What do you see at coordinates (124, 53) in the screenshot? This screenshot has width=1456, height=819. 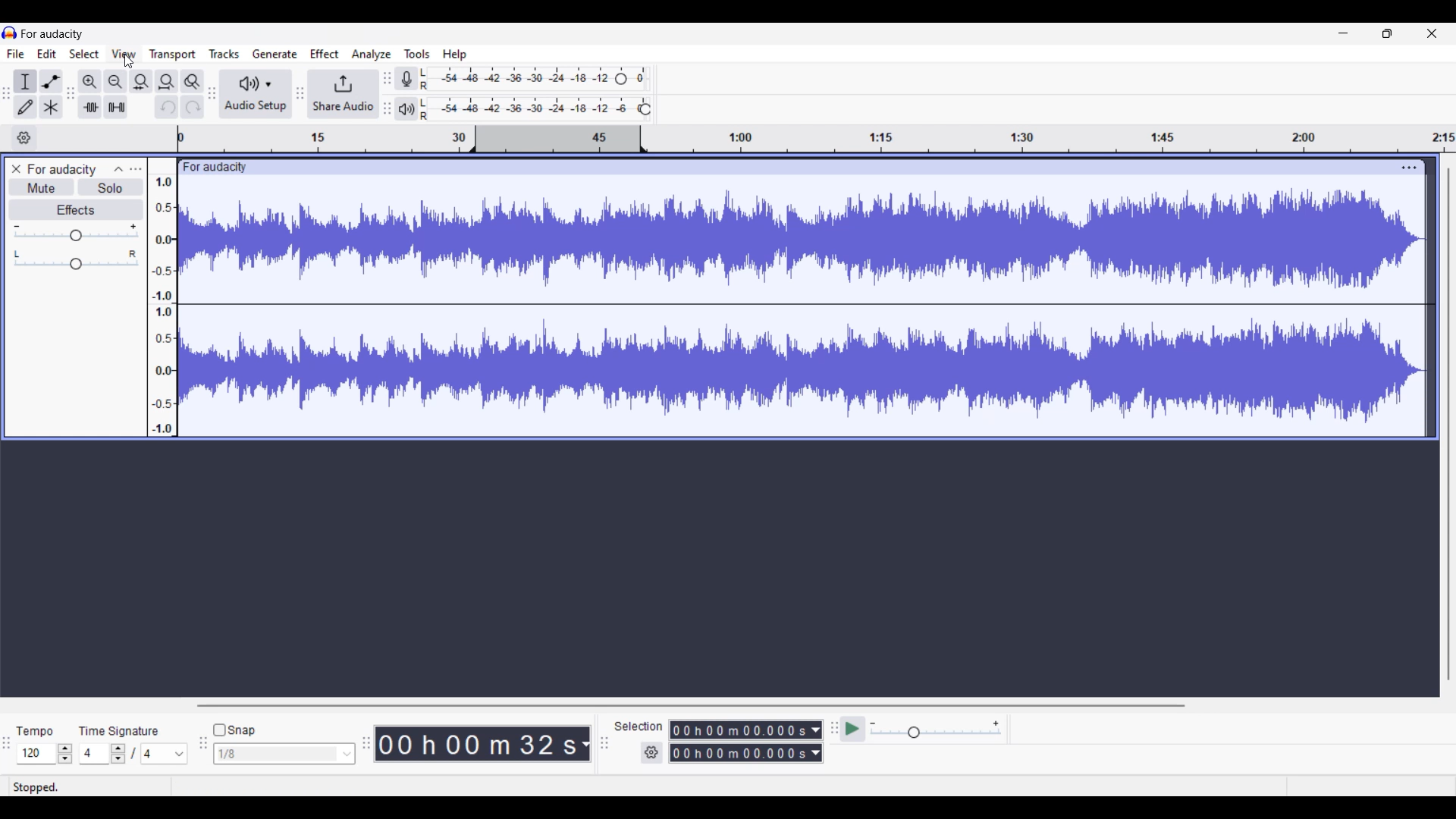 I see `View menu` at bounding box center [124, 53].